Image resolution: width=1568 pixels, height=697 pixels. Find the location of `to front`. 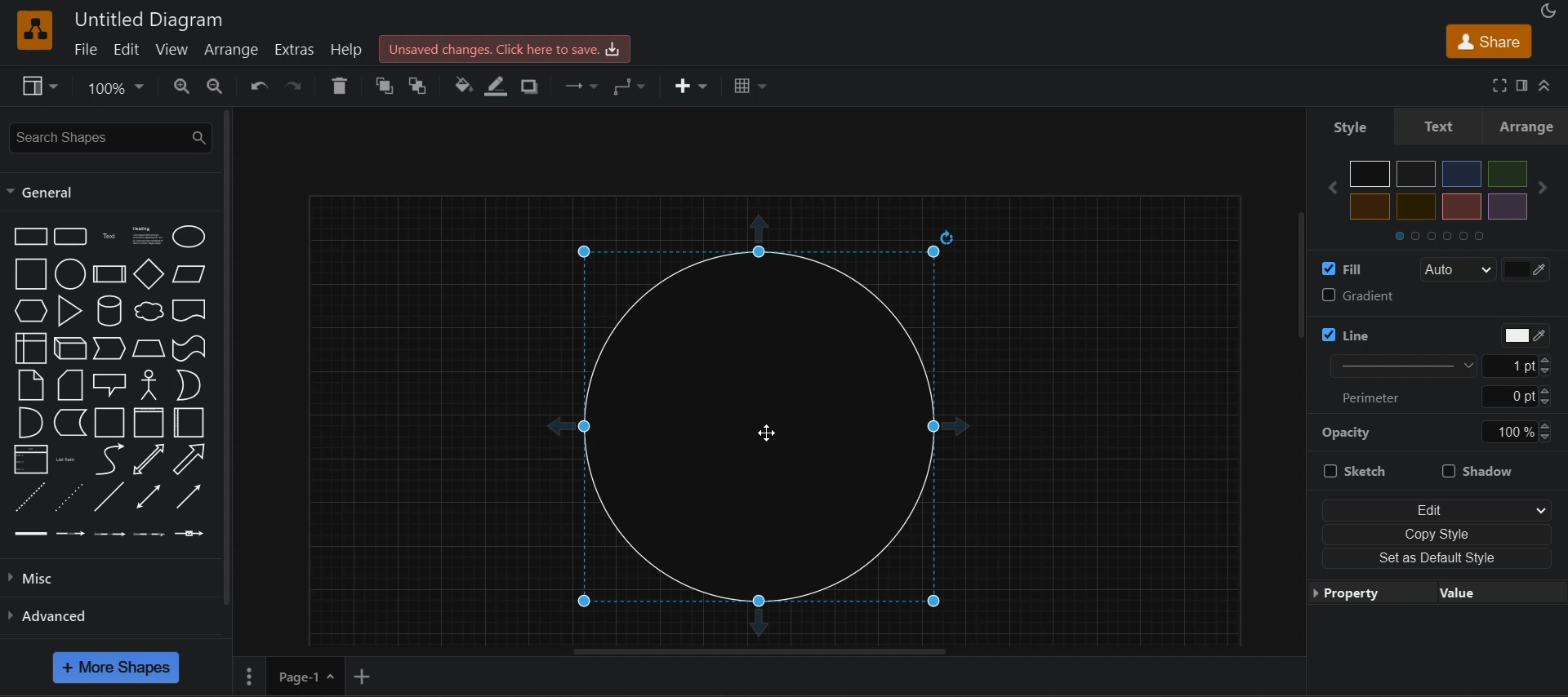

to front is located at coordinates (384, 86).